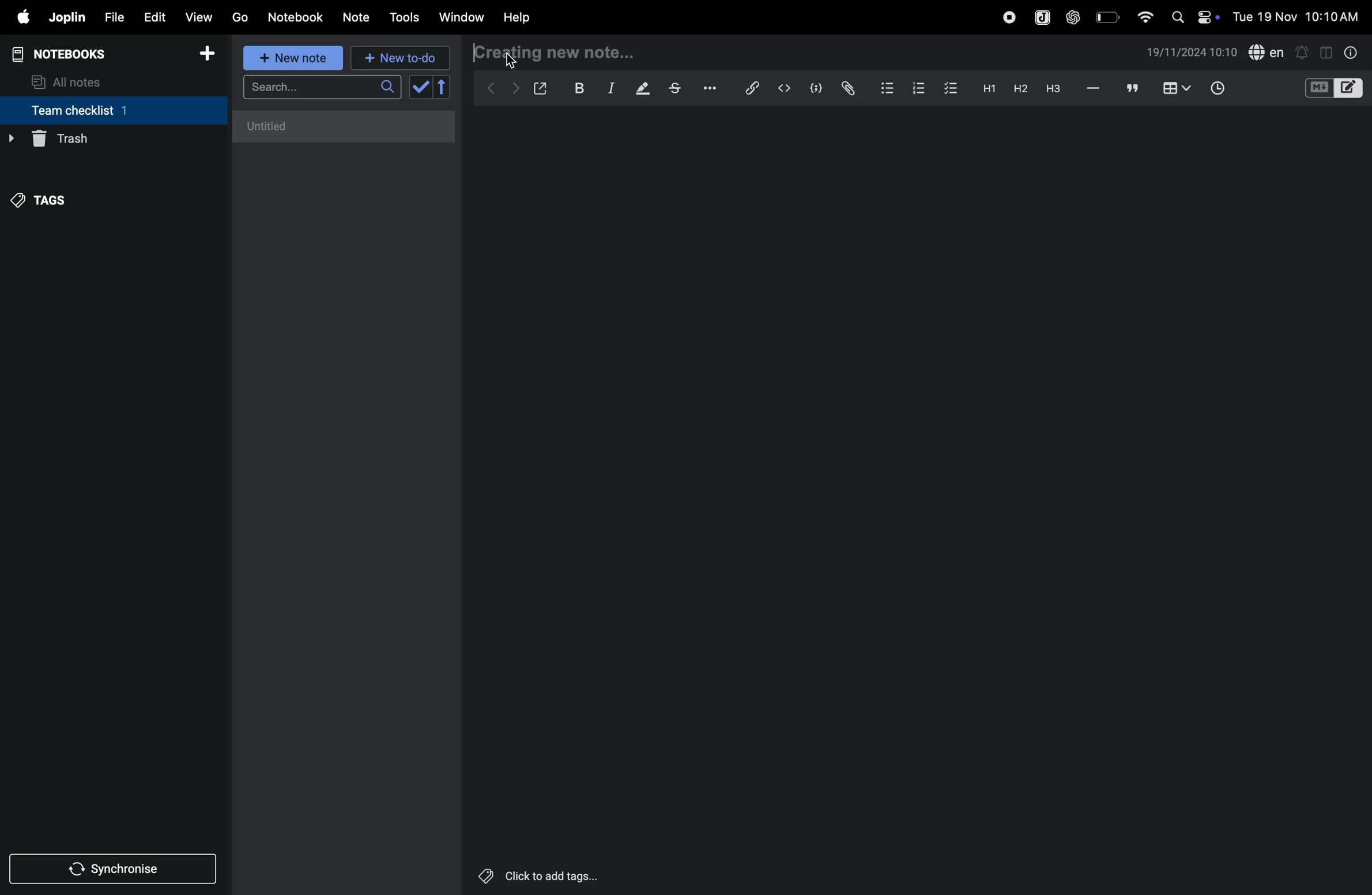 This screenshot has height=895, width=1372. What do you see at coordinates (109, 139) in the screenshot?
I see `trash` at bounding box center [109, 139].